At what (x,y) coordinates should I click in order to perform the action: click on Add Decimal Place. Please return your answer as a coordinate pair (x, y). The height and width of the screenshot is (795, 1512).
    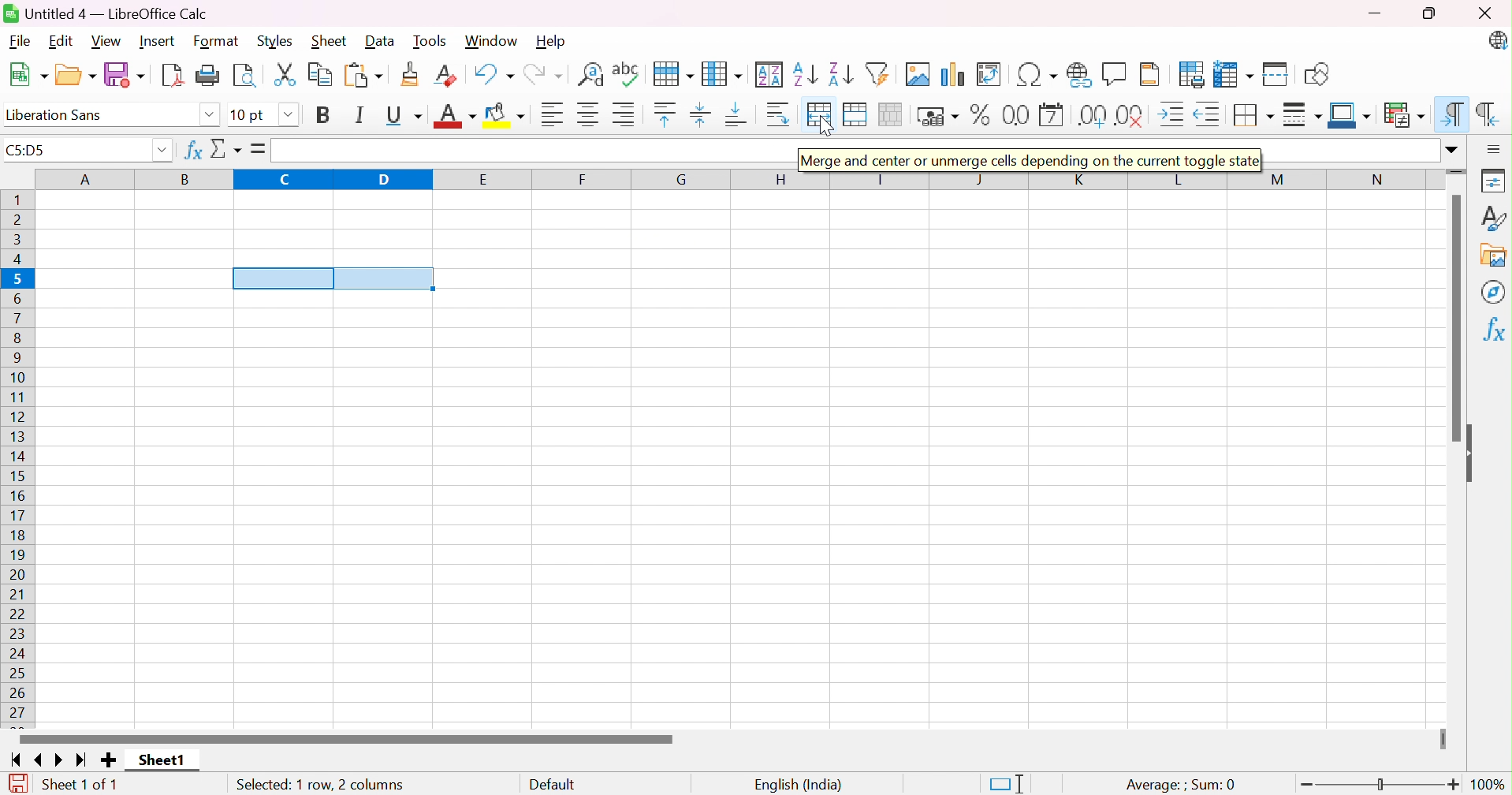
    Looking at the image, I should click on (1090, 114).